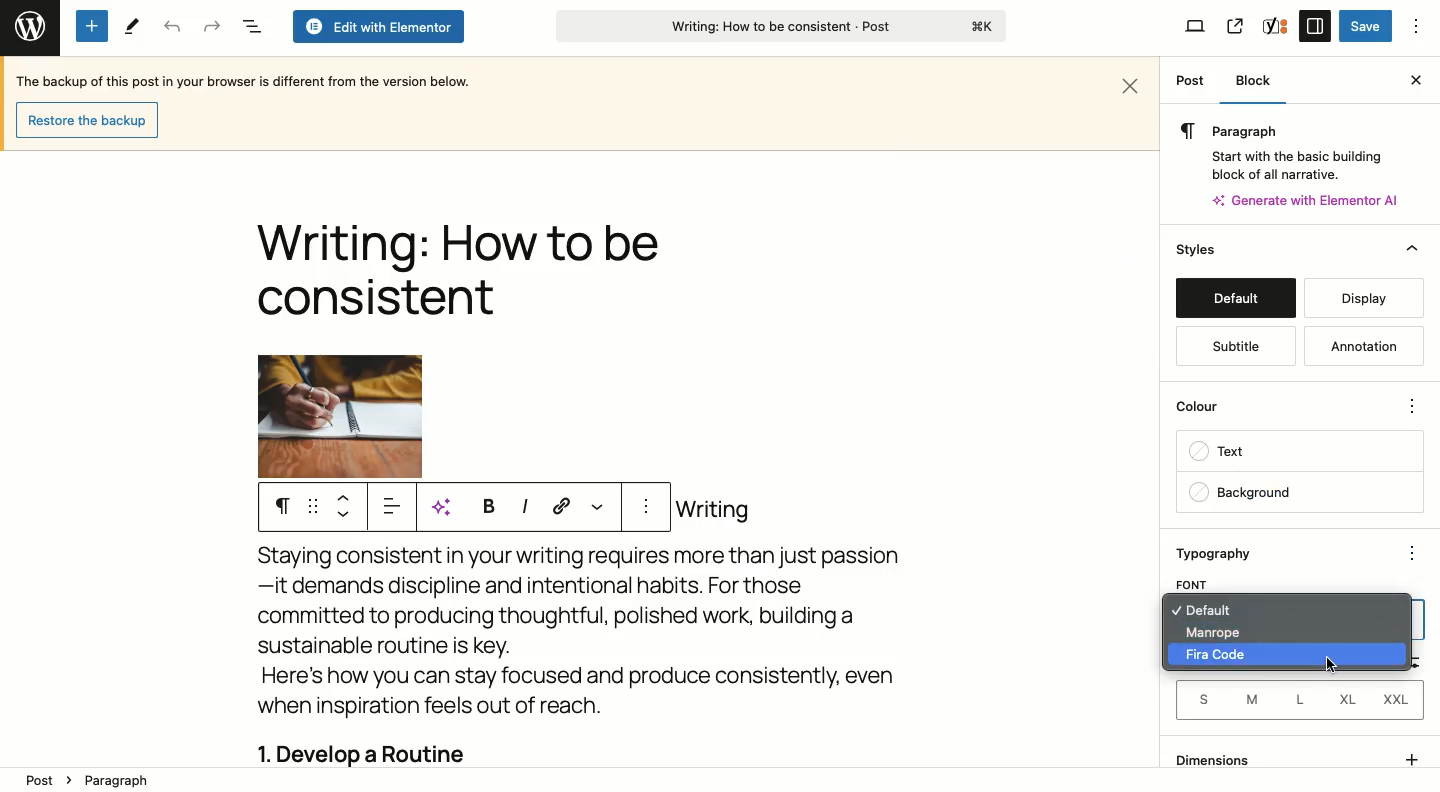  Describe the element at coordinates (1235, 347) in the screenshot. I see `Subtitle` at that location.